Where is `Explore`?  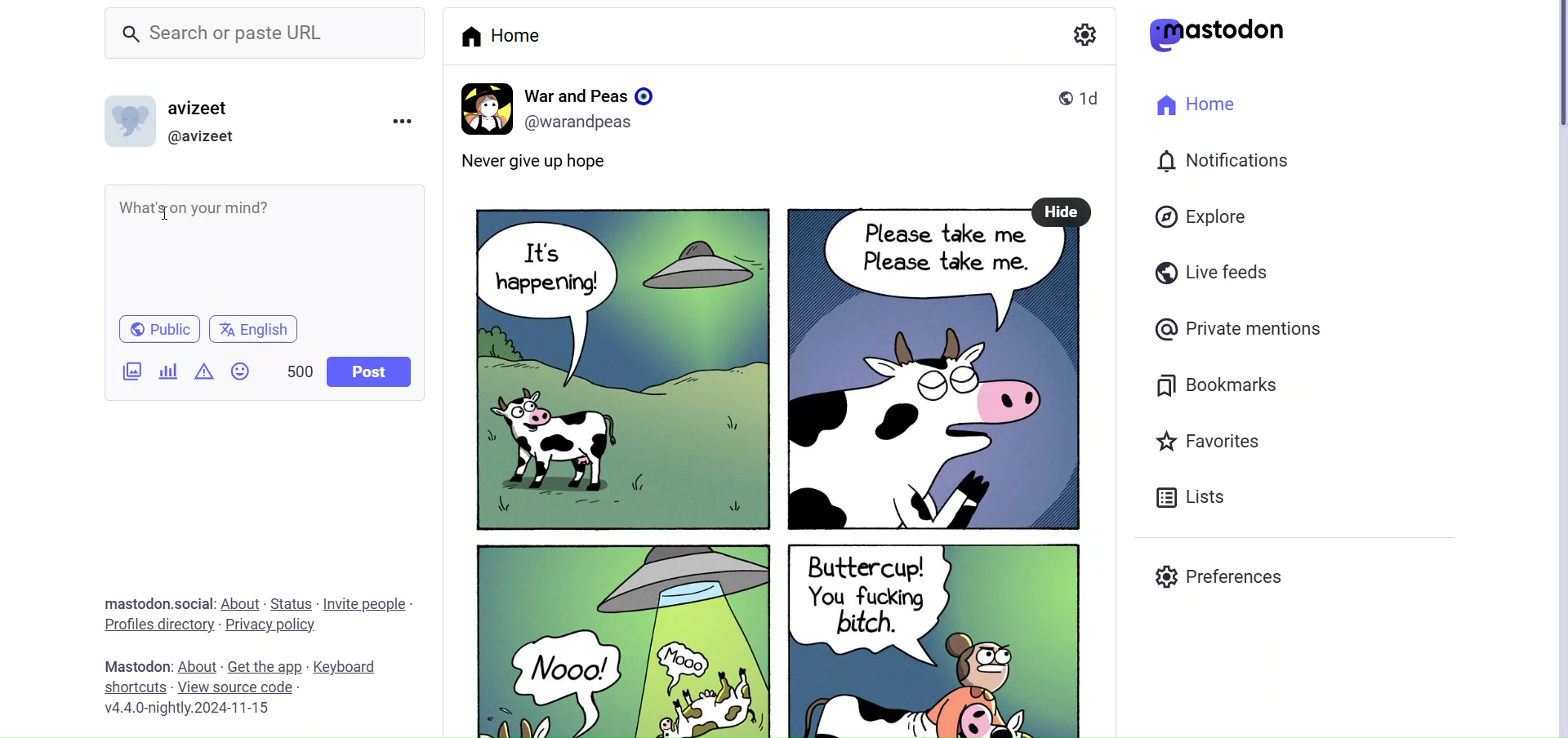
Explore is located at coordinates (1200, 216).